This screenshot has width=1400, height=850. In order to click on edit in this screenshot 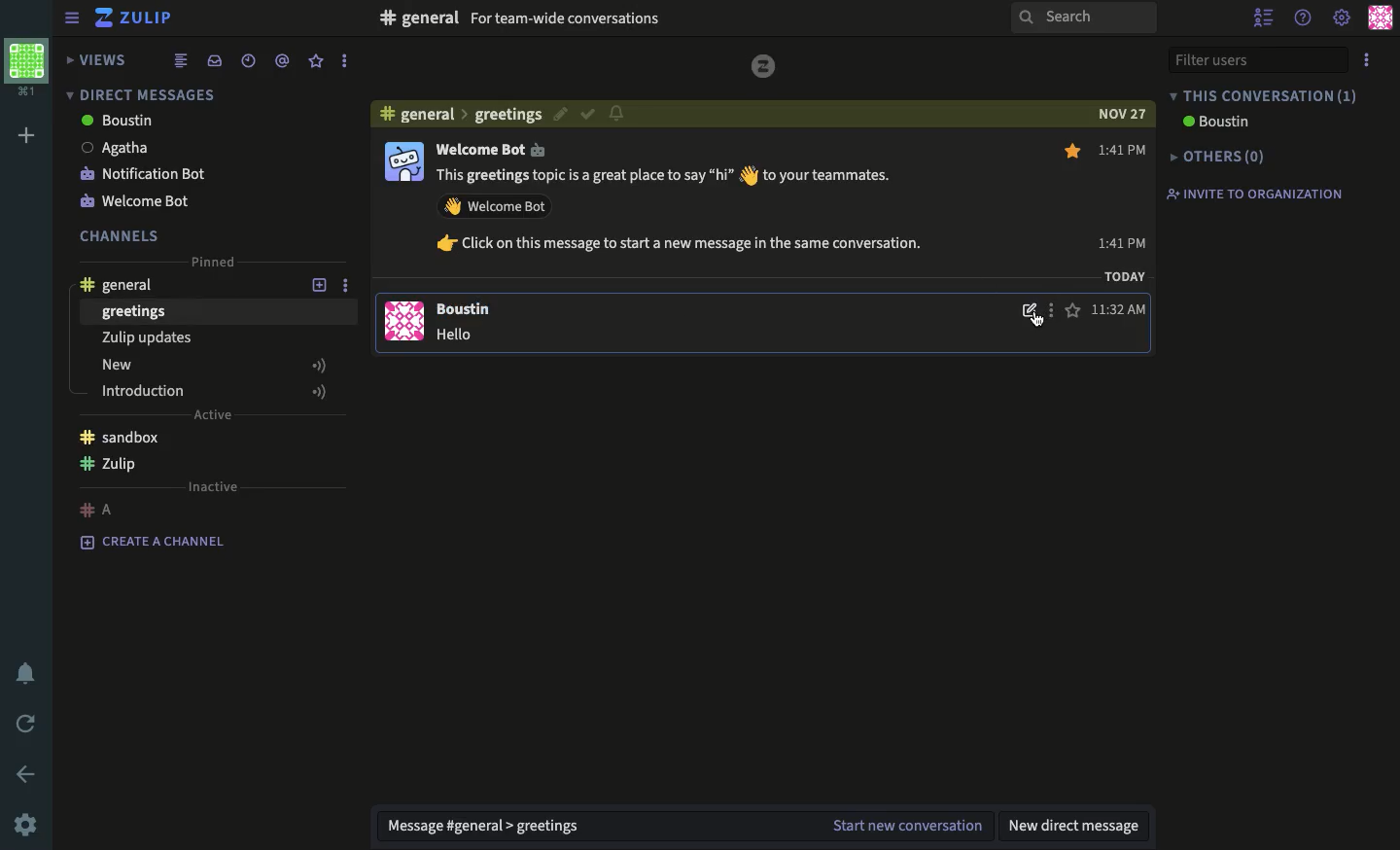, I will do `click(1027, 314)`.